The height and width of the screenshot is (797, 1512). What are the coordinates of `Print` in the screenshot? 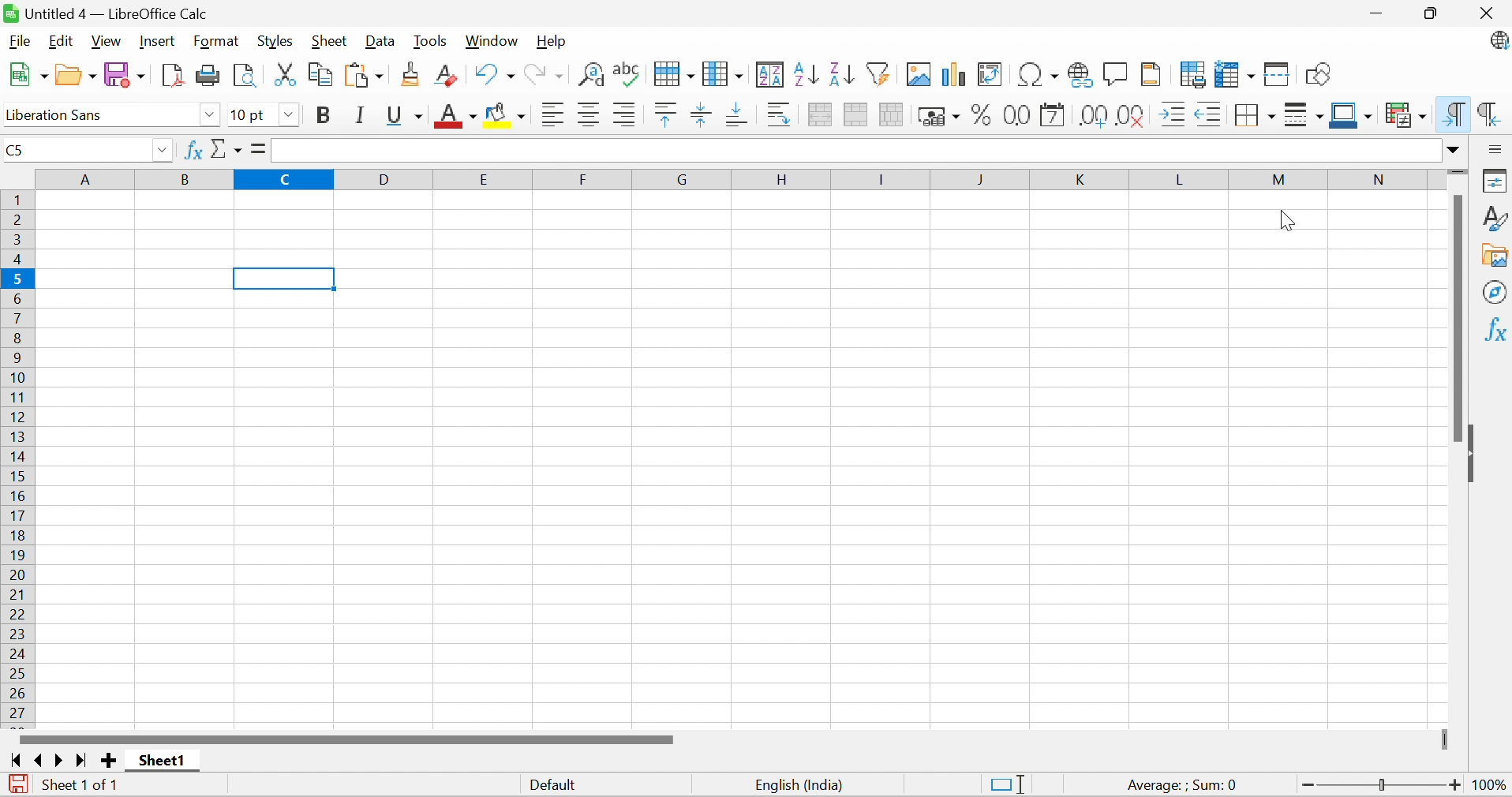 It's located at (209, 75).